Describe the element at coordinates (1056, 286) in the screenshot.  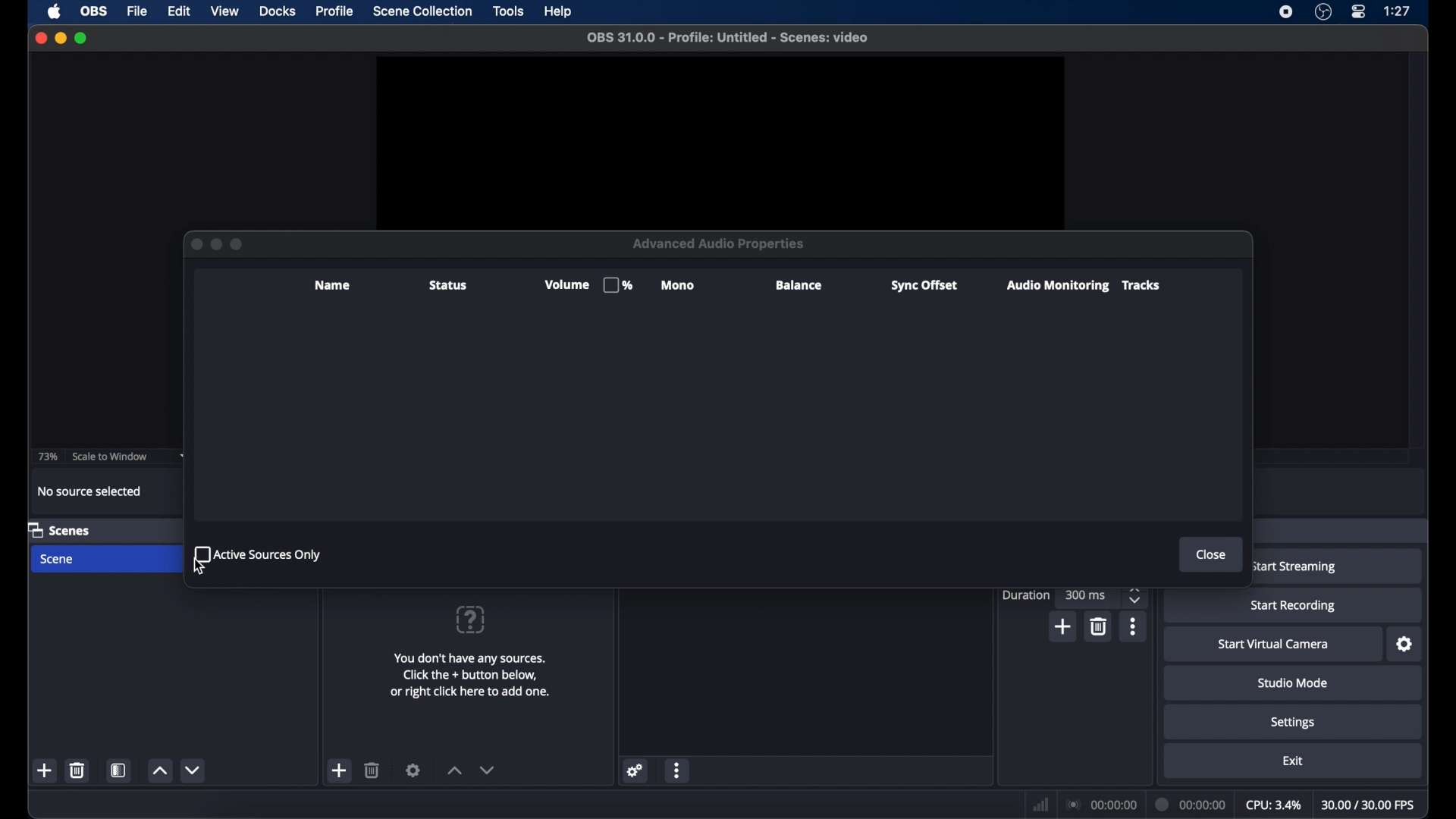
I see `audio monitoring` at that location.